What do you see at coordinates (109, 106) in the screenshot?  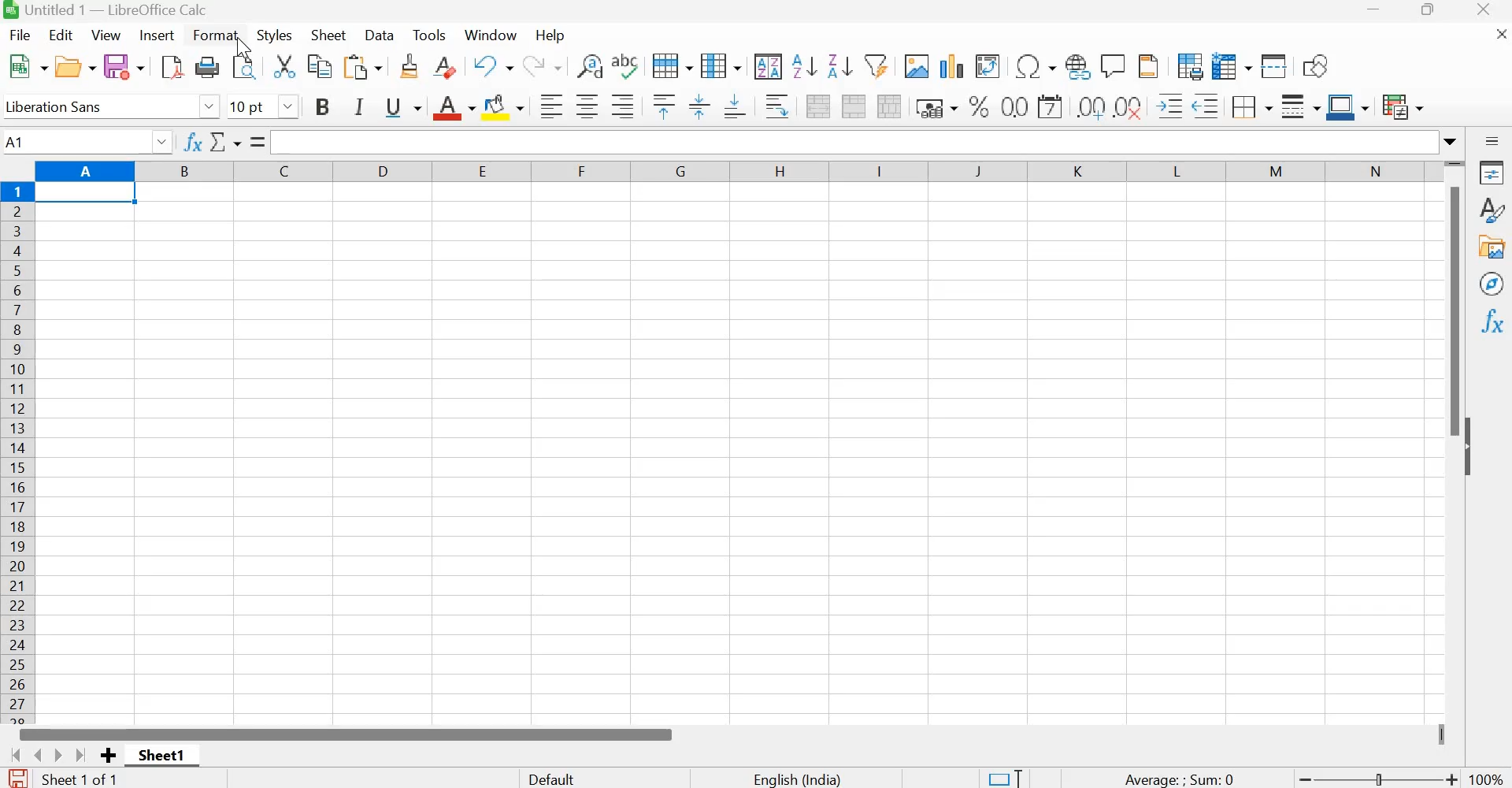 I see `Liberation sans` at bounding box center [109, 106].